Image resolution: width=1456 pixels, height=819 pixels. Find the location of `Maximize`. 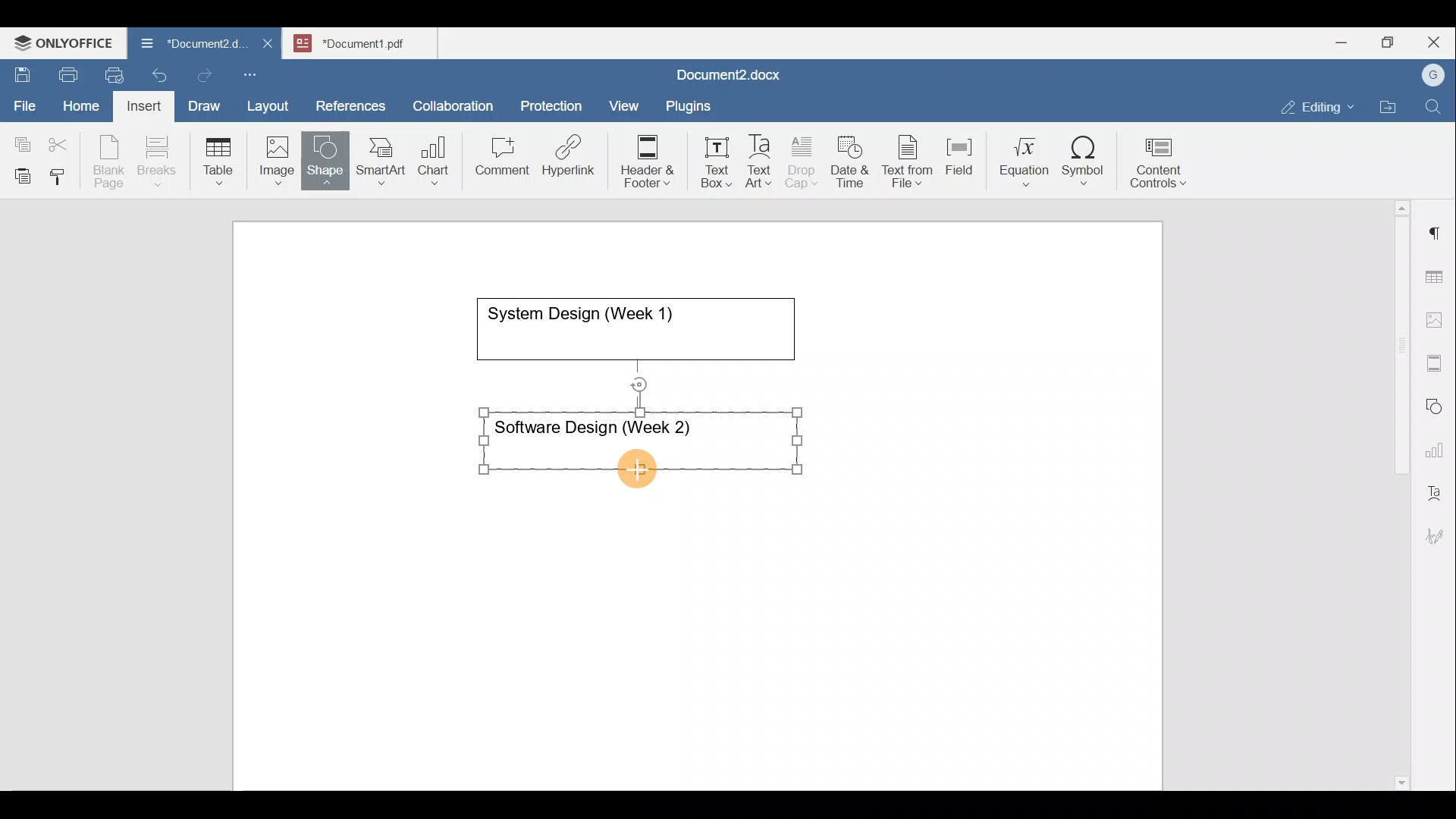

Maximize is located at coordinates (1392, 42).